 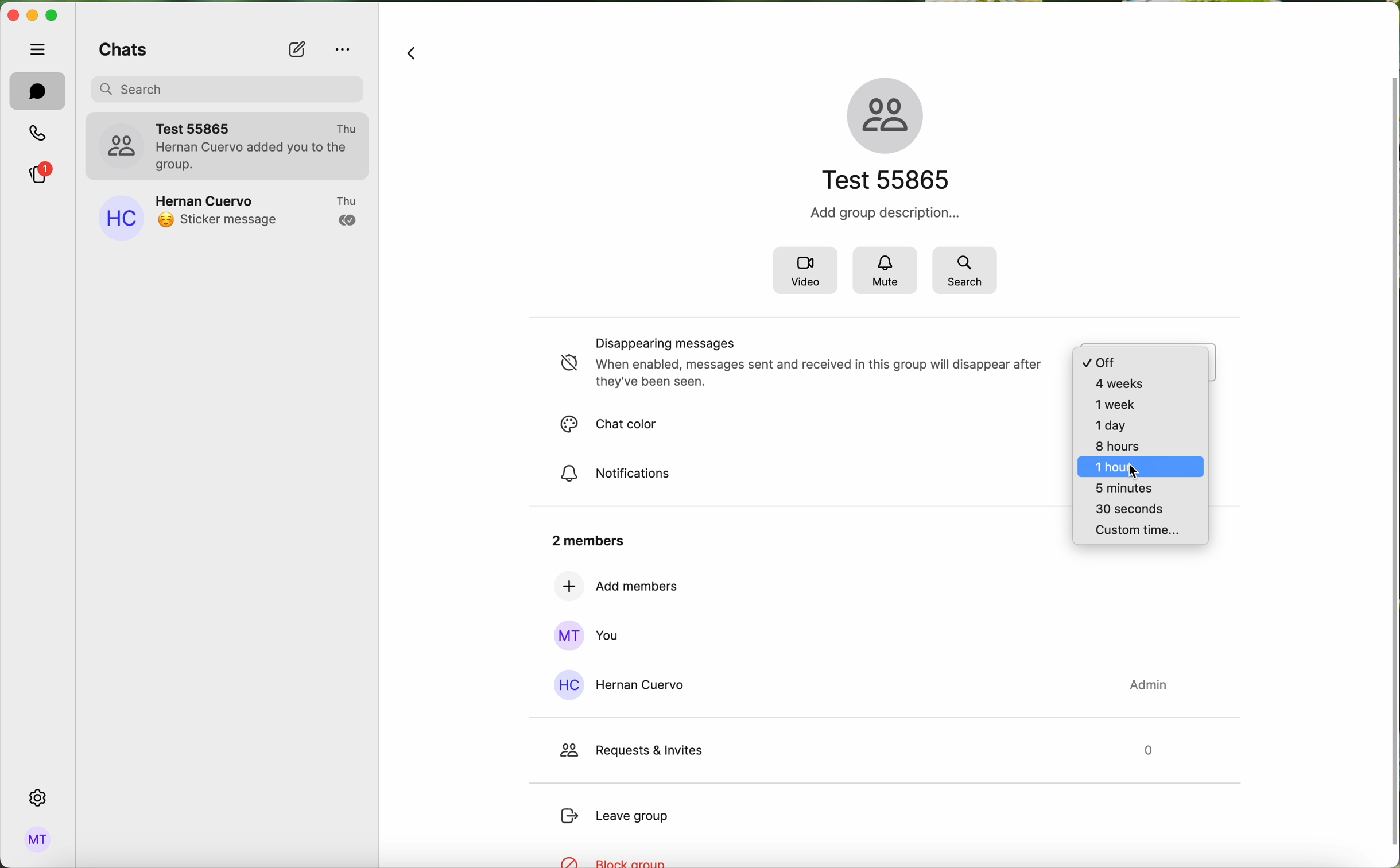 I want to click on calls, so click(x=39, y=133).